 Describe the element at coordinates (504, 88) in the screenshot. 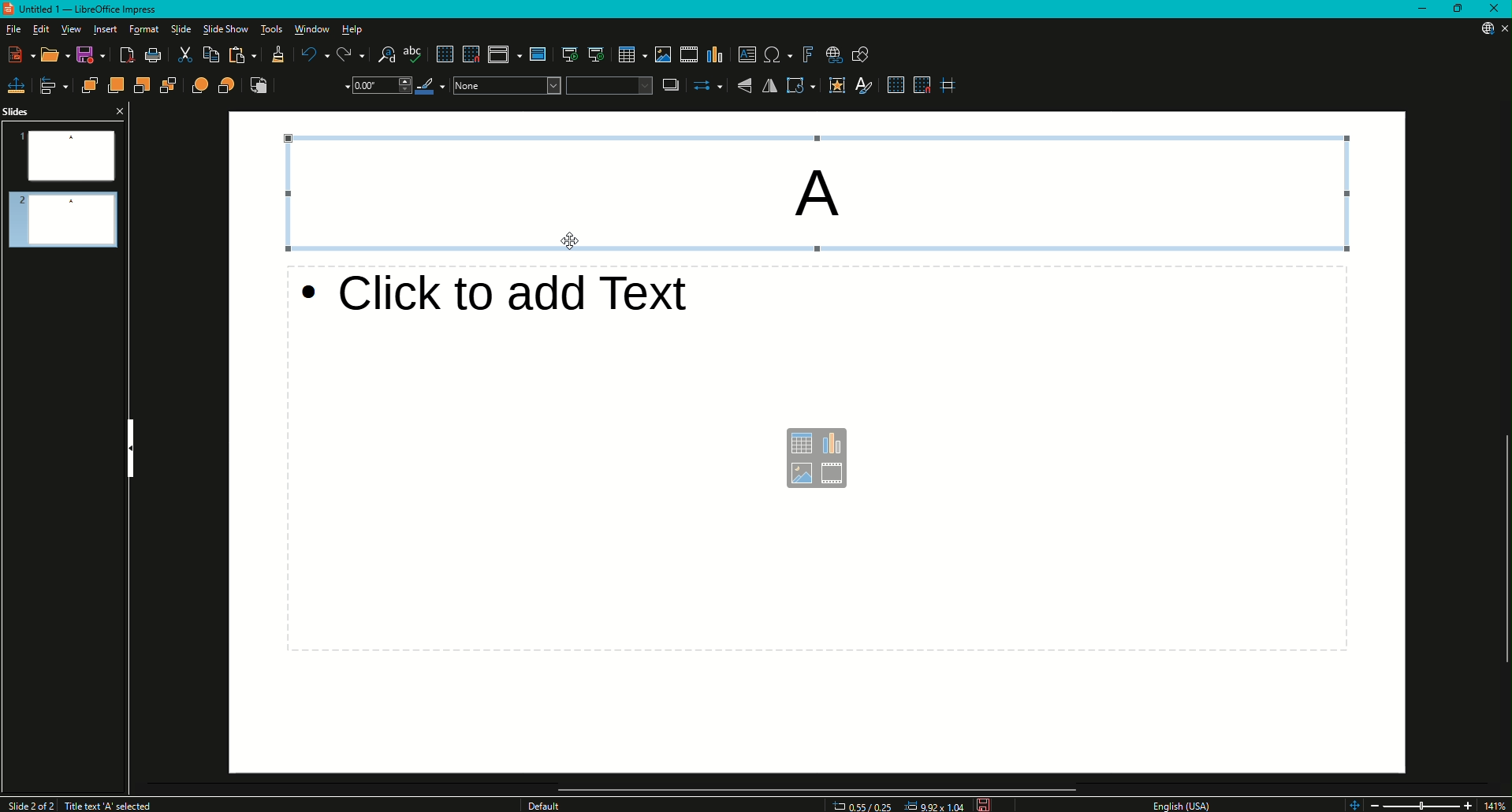

I see `Color Drop Down` at that location.